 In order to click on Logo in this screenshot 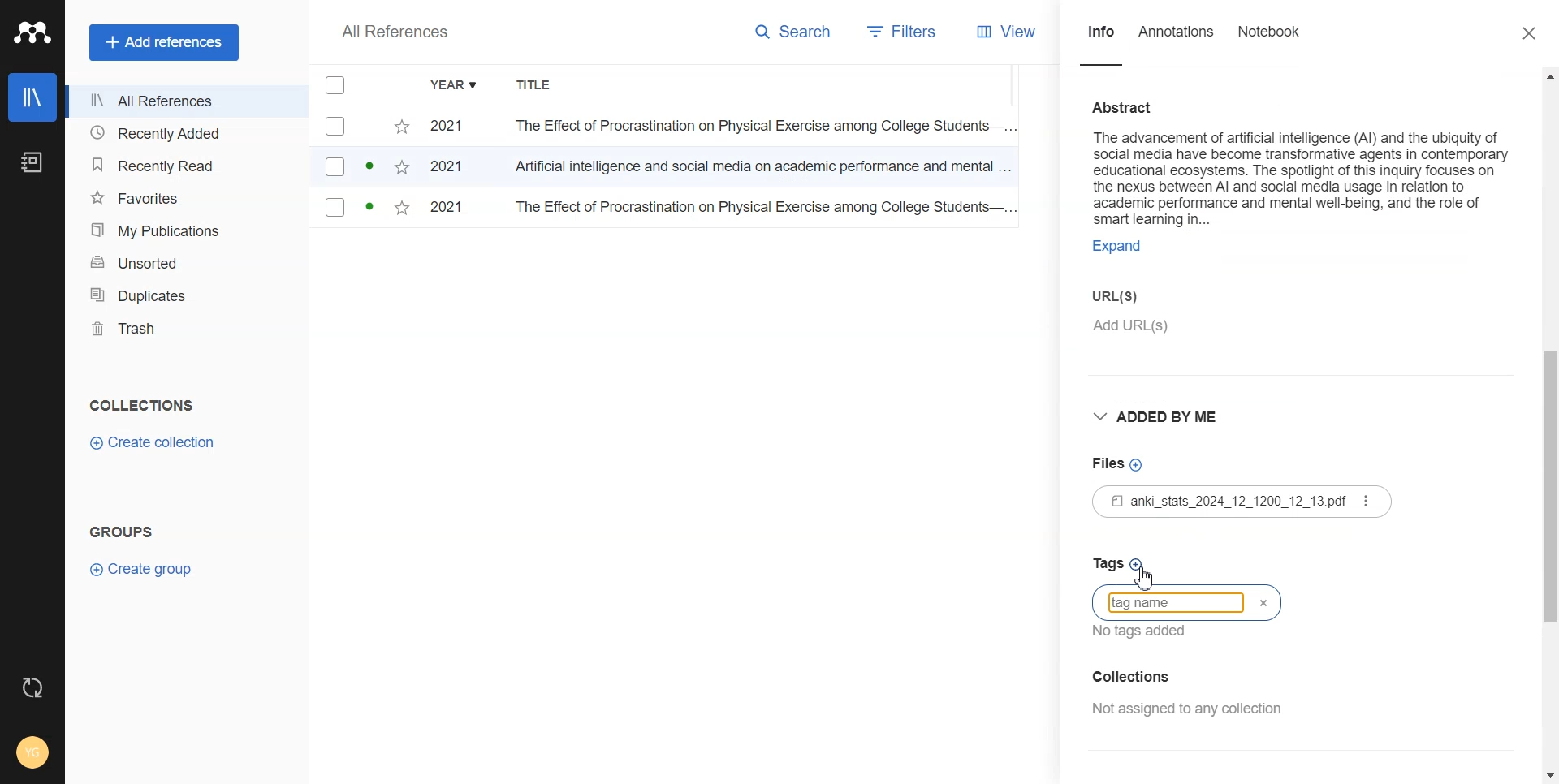, I will do `click(32, 33)`.